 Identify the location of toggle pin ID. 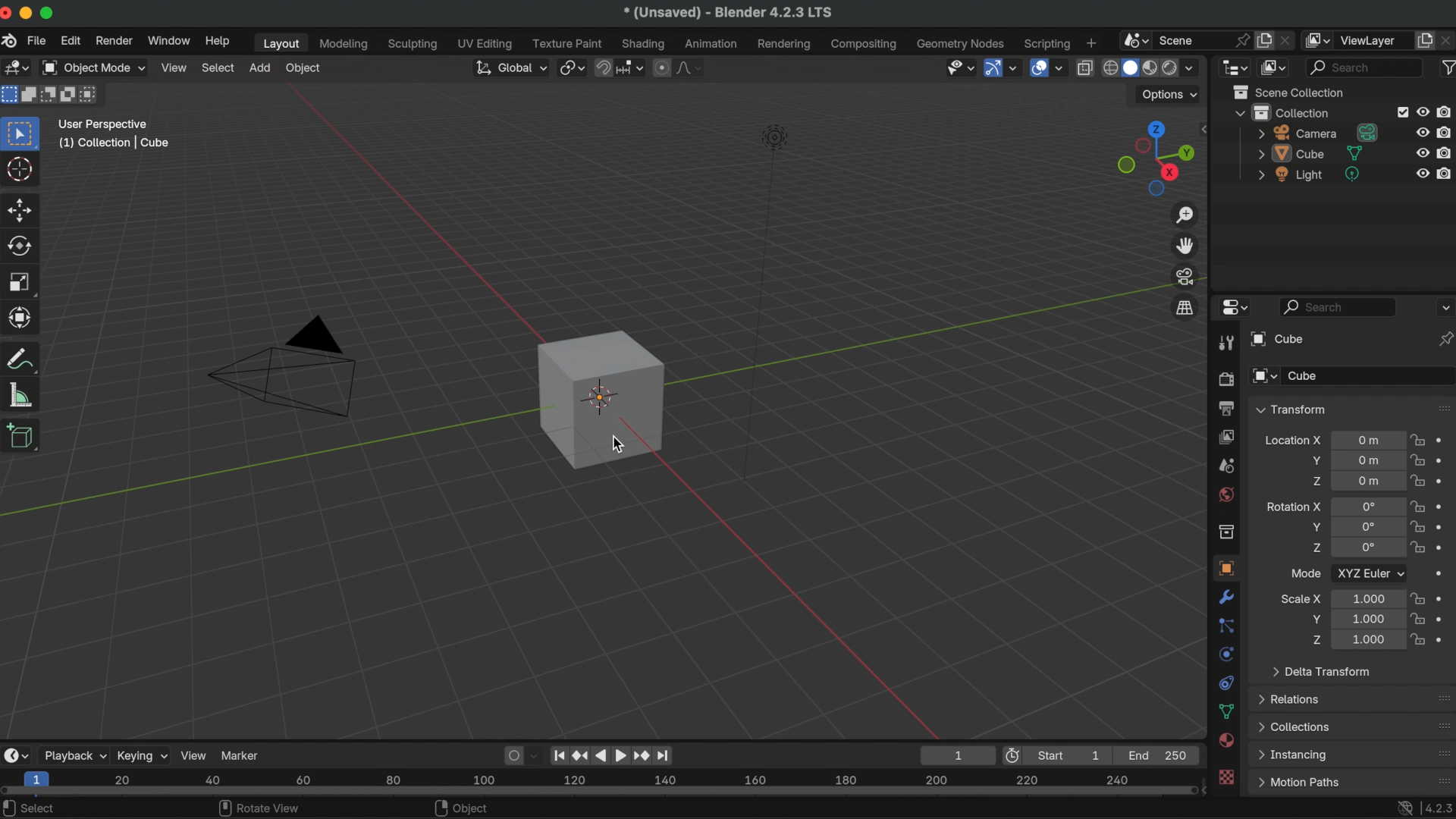
(1445, 339).